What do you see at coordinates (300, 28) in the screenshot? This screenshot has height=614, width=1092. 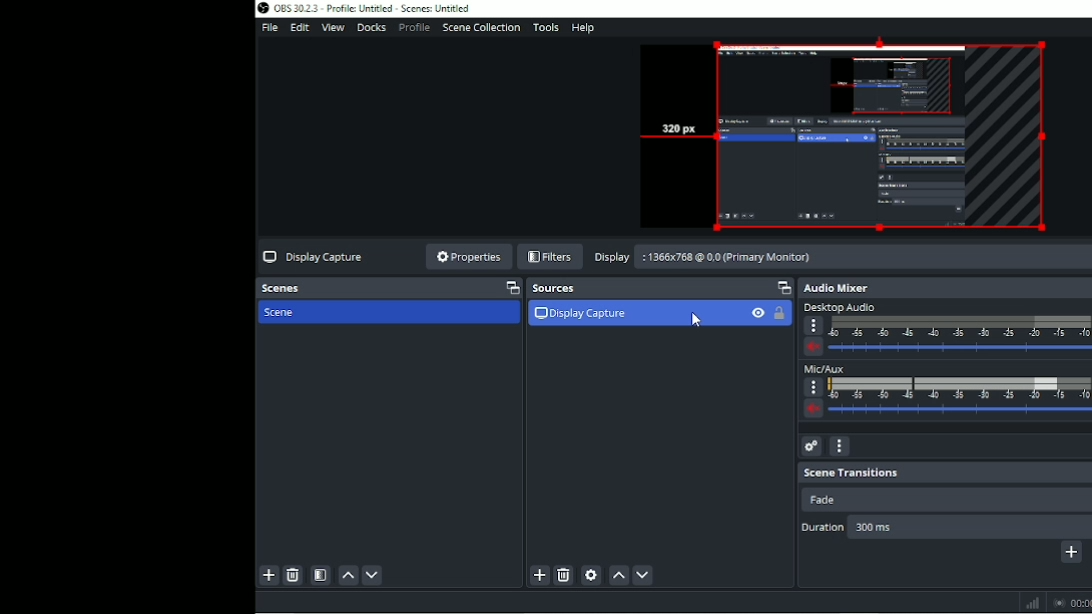 I see `Edit` at bounding box center [300, 28].